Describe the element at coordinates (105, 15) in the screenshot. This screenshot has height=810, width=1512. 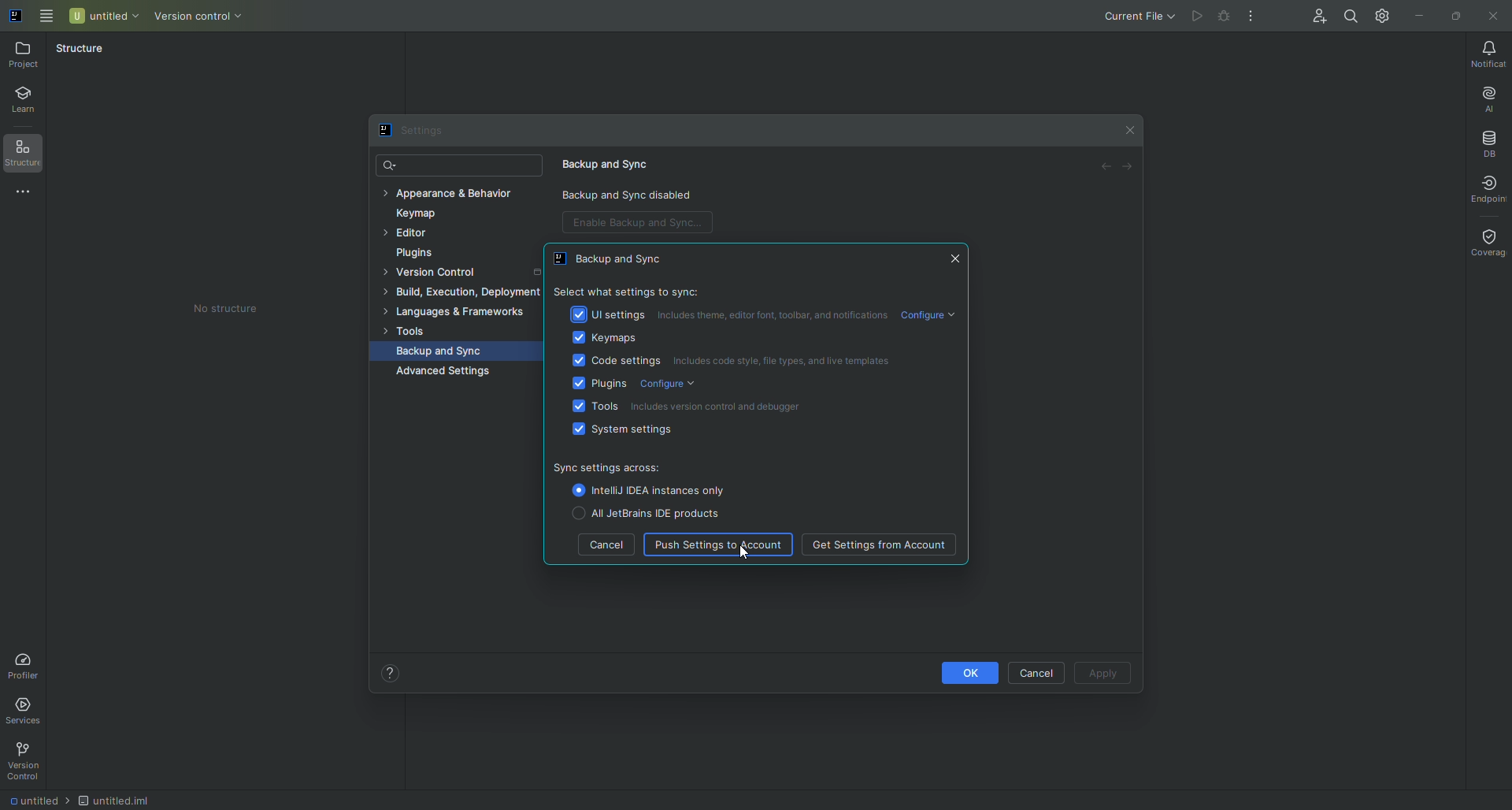
I see `Untitled` at that location.